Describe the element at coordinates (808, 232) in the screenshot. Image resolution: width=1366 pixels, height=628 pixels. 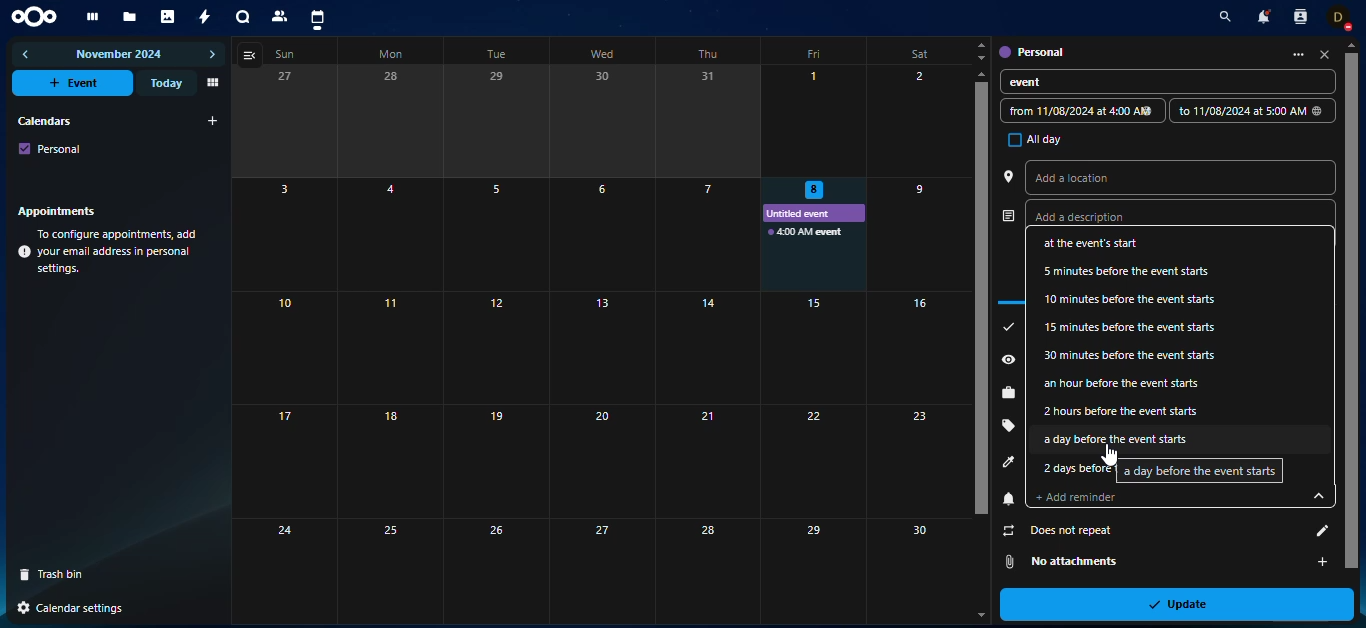
I see `event` at that location.